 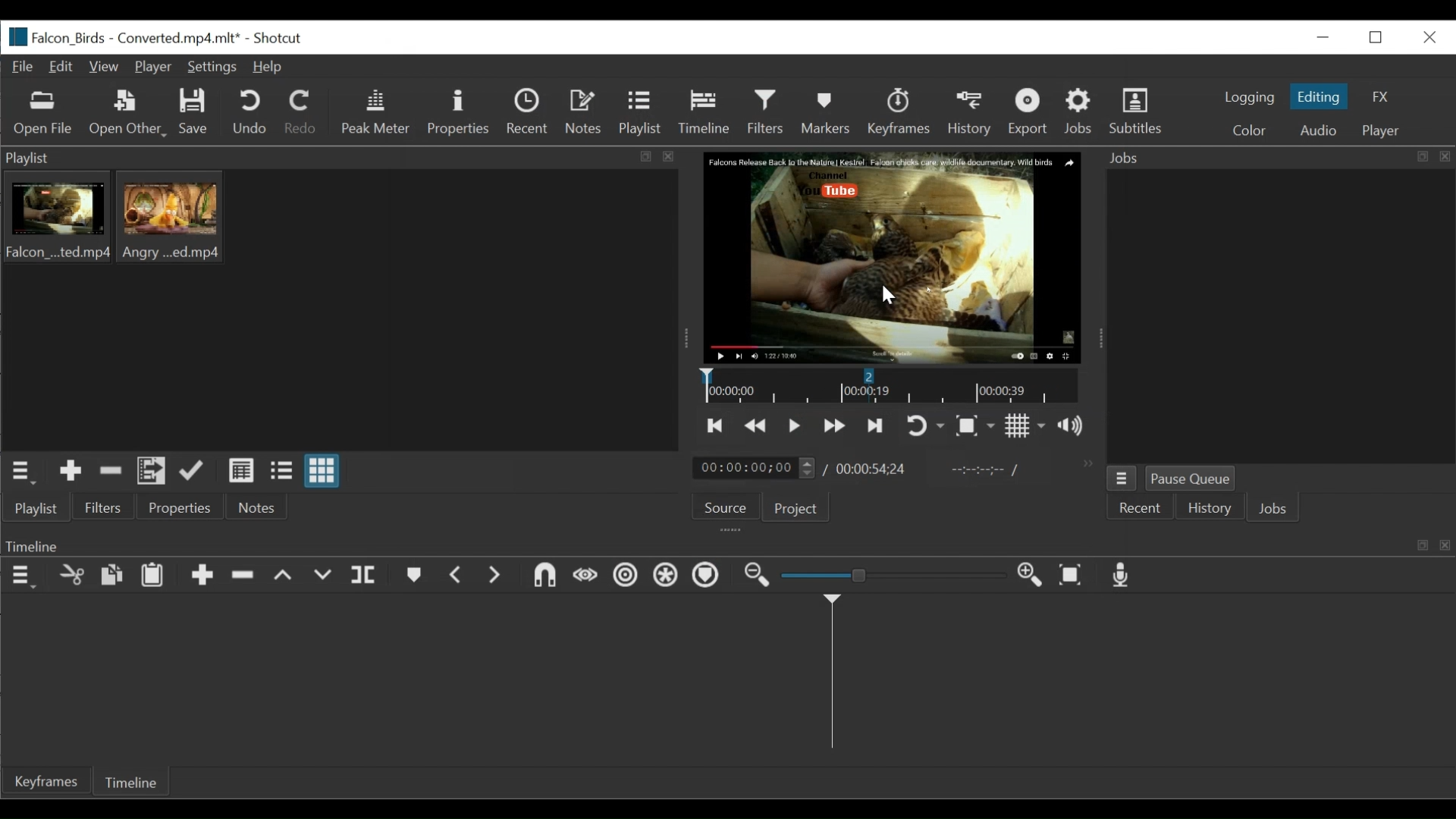 What do you see at coordinates (767, 111) in the screenshot?
I see `Filters` at bounding box center [767, 111].